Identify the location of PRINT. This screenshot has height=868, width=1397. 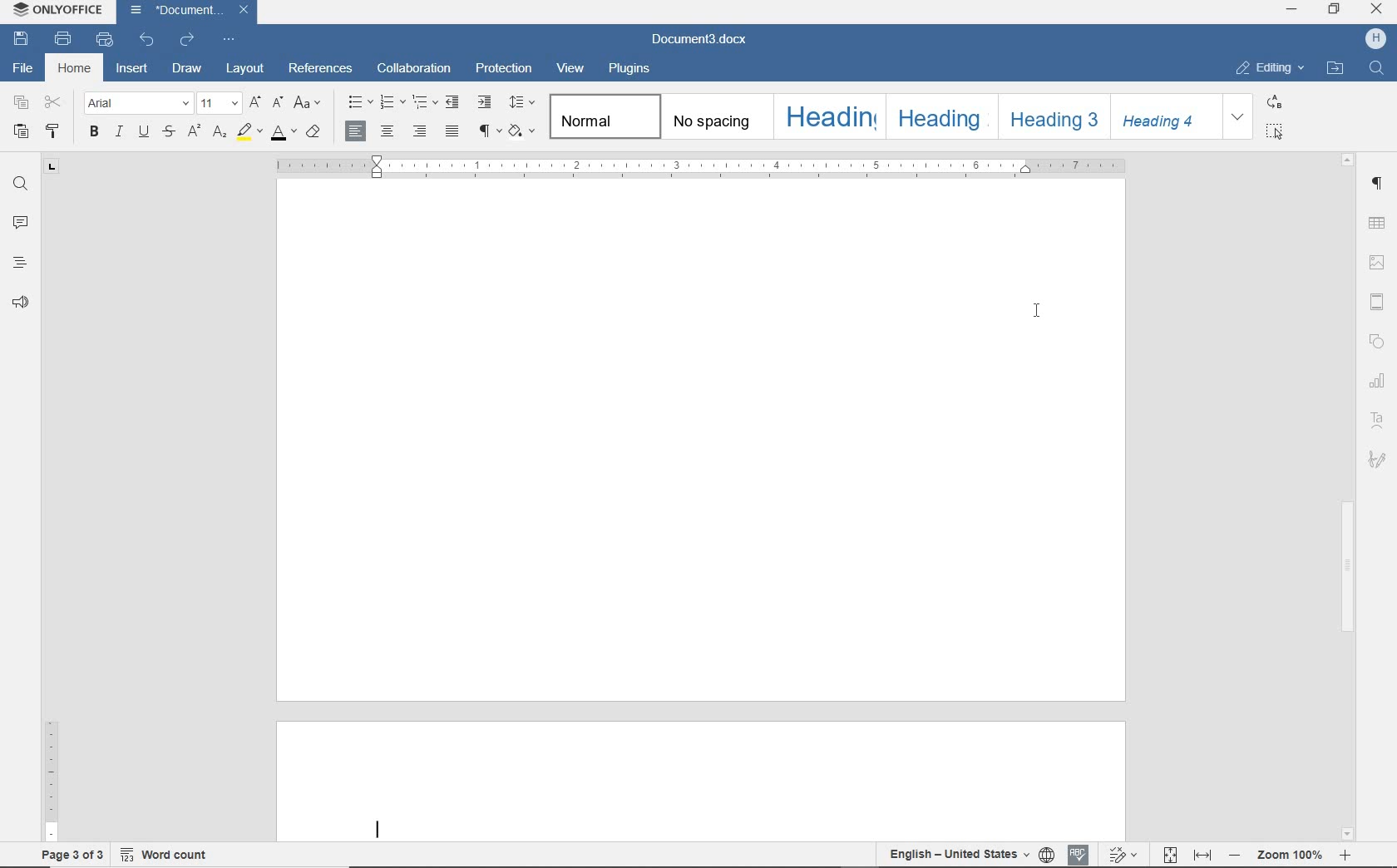
(64, 39).